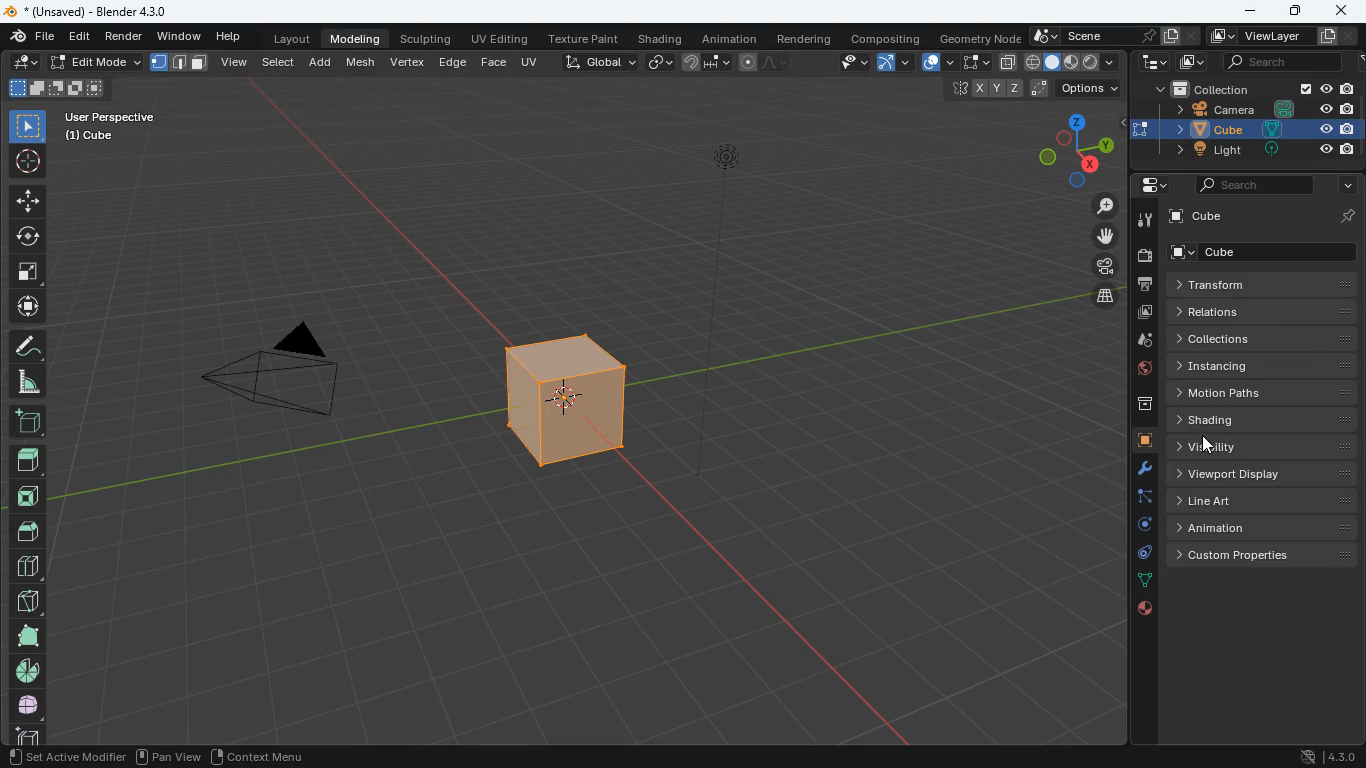 The height and width of the screenshot is (768, 1366). What do you see at coordinates (427, 40) in the screenshot?
I see `sculpting` at bounding box center [427, 40].